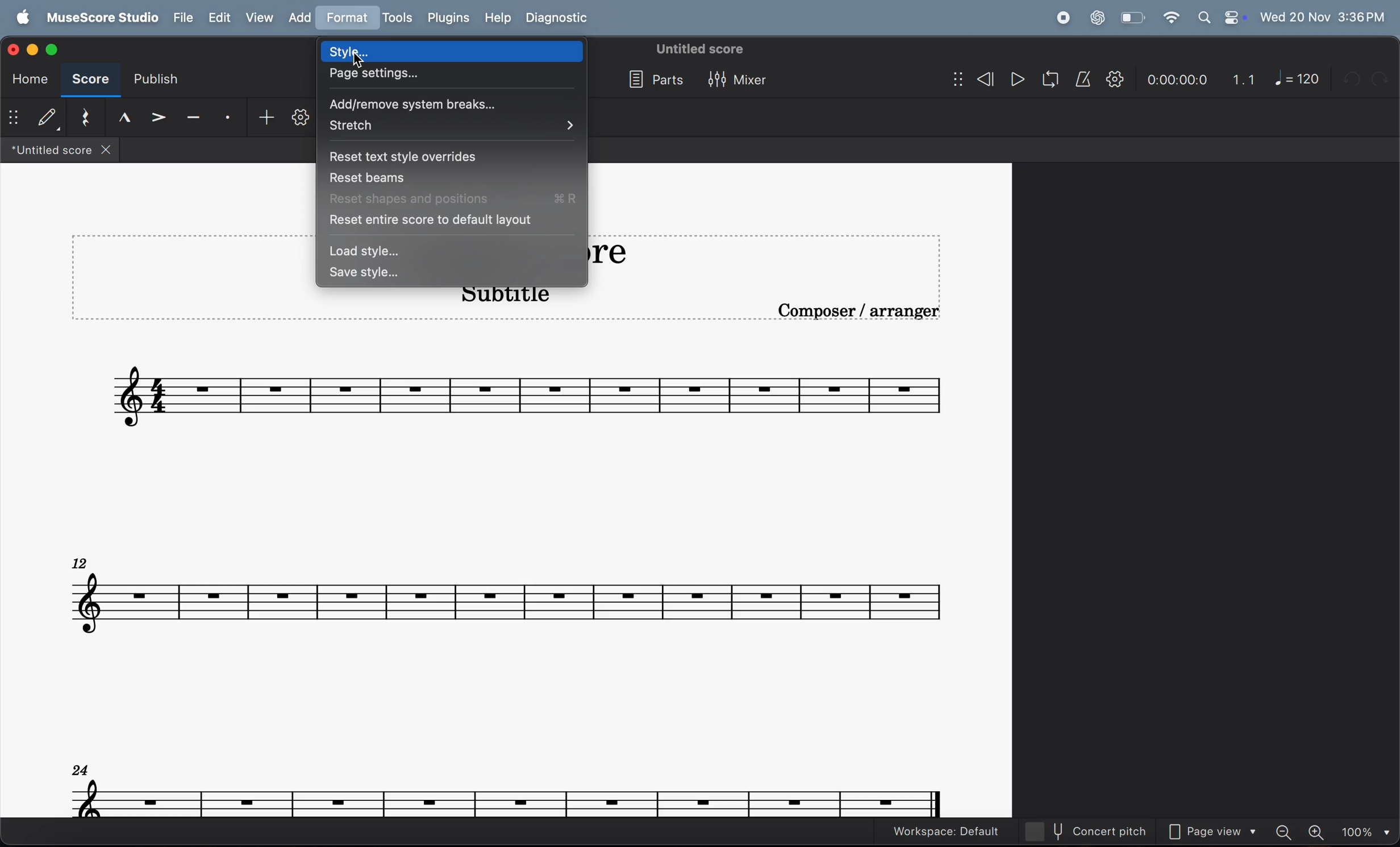  What do you see at coordinates (531, 392) in the screenshot?
I see `notes` at bounding box center [531, 392].